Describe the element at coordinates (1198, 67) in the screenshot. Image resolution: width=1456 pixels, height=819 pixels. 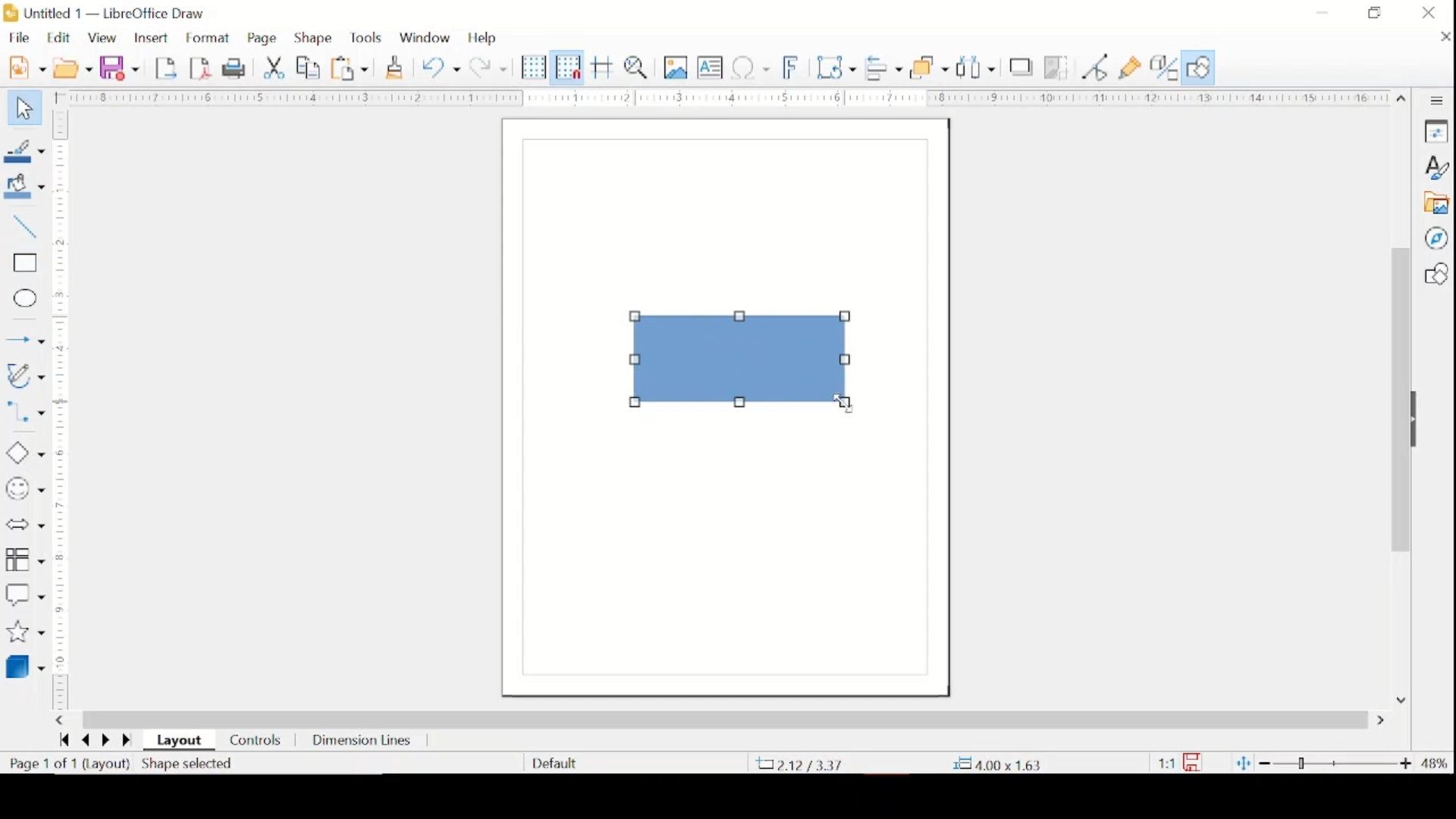
I see `show draw functions` at that location.